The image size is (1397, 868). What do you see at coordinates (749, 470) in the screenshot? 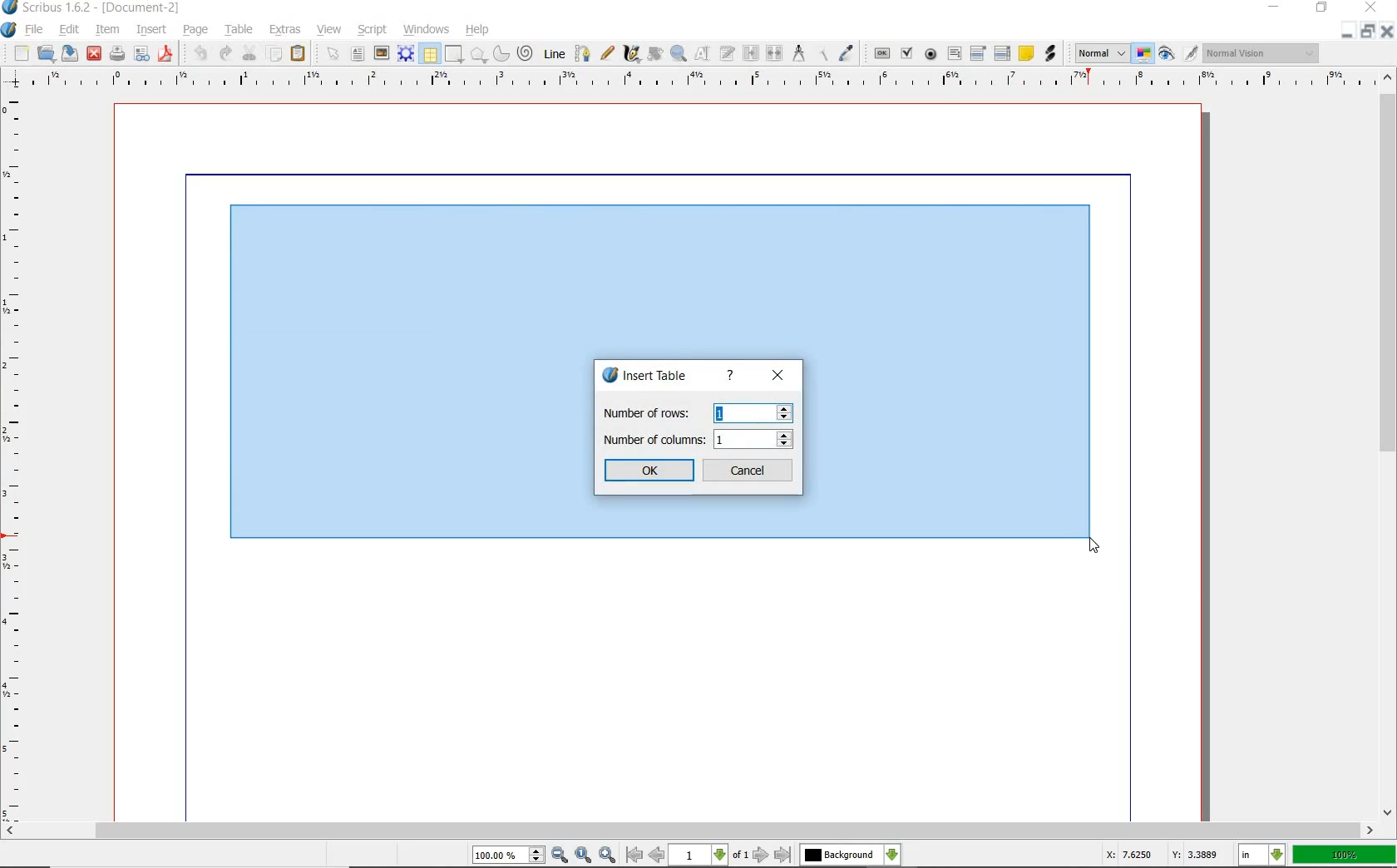
I see `cancel` at bounding box center [749, 470].